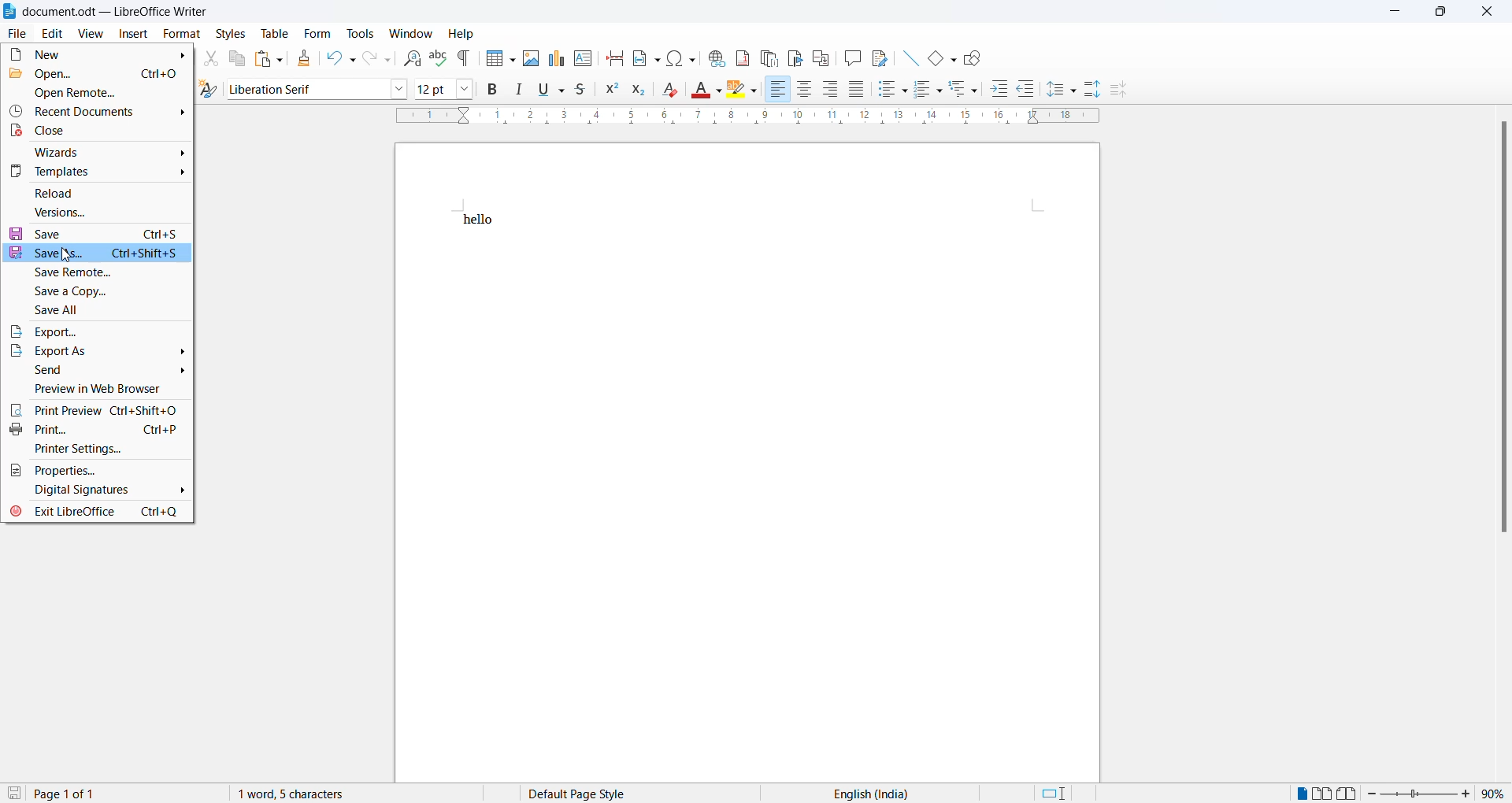 Image resolution: width=1512 pixels, height=803 pixels. What do you see at coordinates (500, 60) in the screenshot?
I see `Insert table` at bounding box center [500, 60].